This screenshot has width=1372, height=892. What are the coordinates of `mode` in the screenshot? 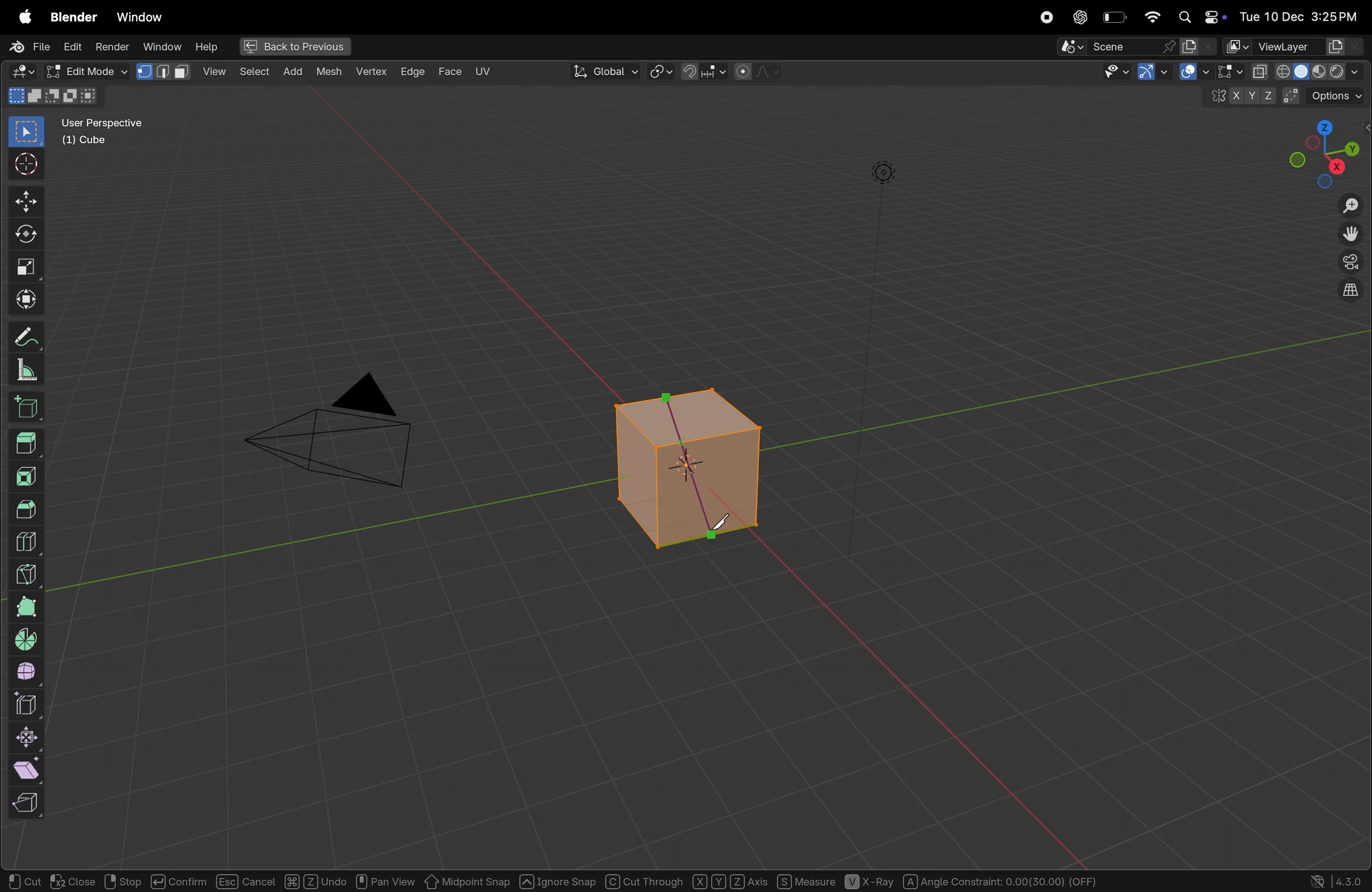 It's located at (55, 96).